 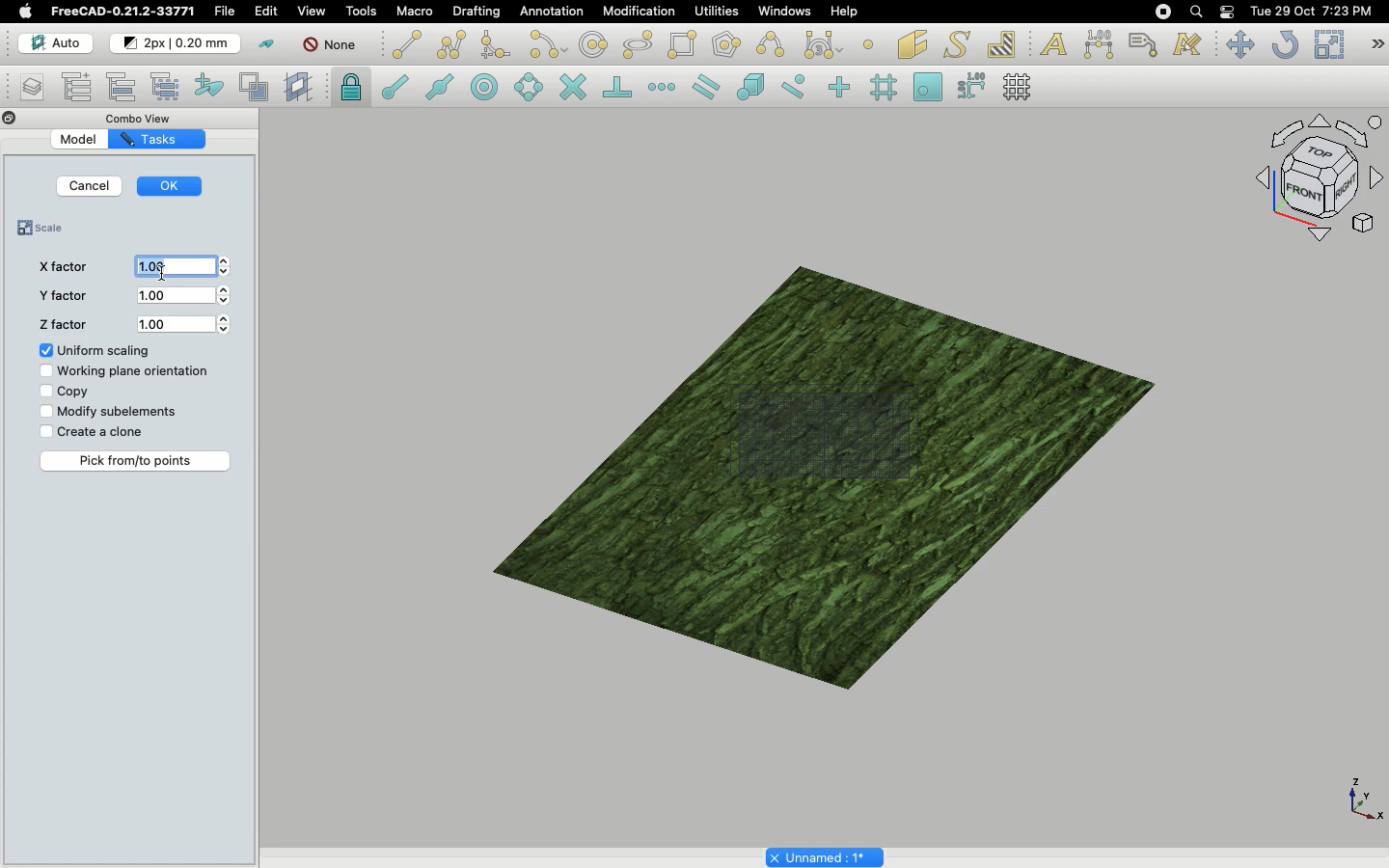 What do you see at coordinates (833, 87) in the screenshot?
I see `Snap ortho` at bounding box center [833, 87].